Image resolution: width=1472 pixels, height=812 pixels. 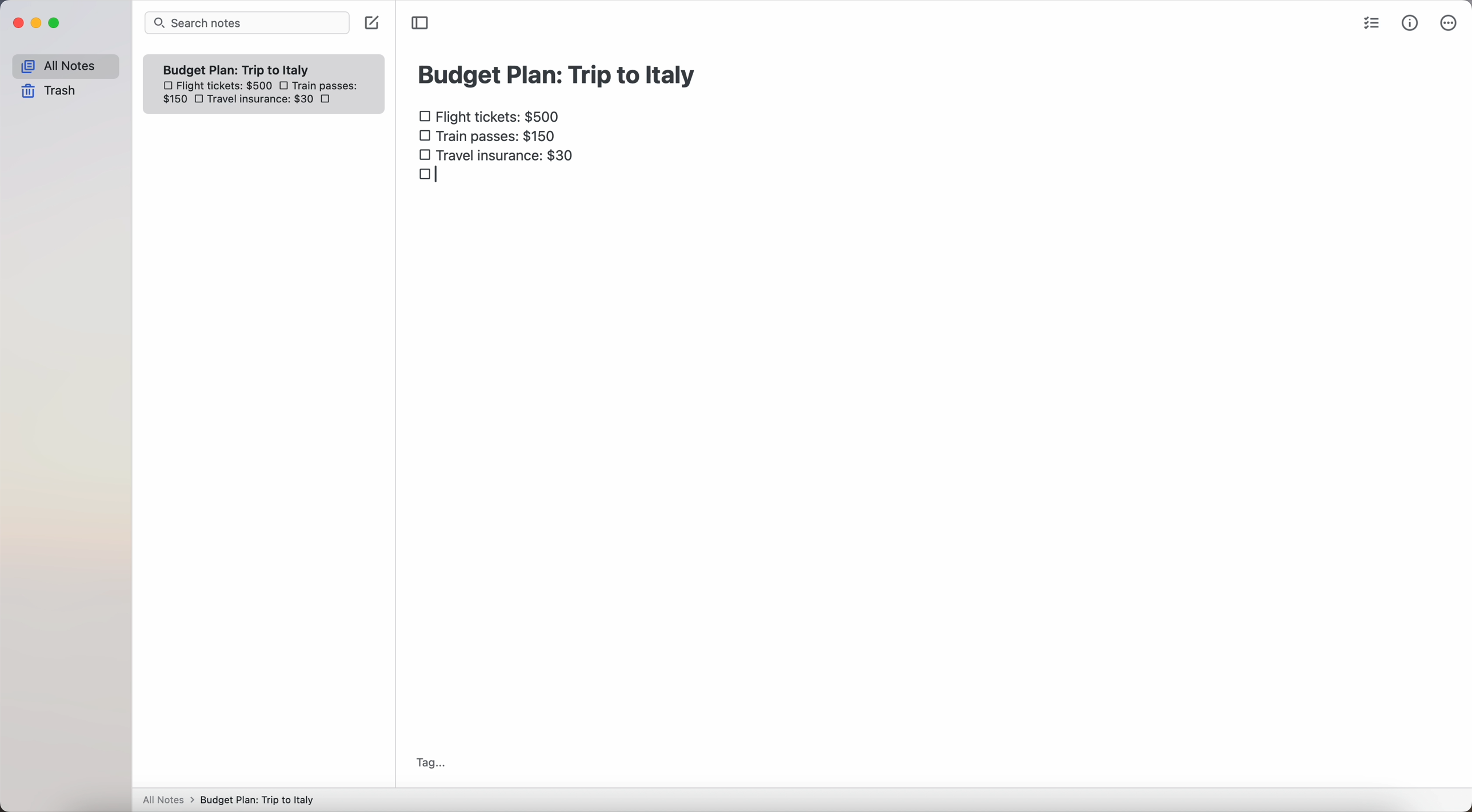 I want to click on tag, so click(x=431, y=763).